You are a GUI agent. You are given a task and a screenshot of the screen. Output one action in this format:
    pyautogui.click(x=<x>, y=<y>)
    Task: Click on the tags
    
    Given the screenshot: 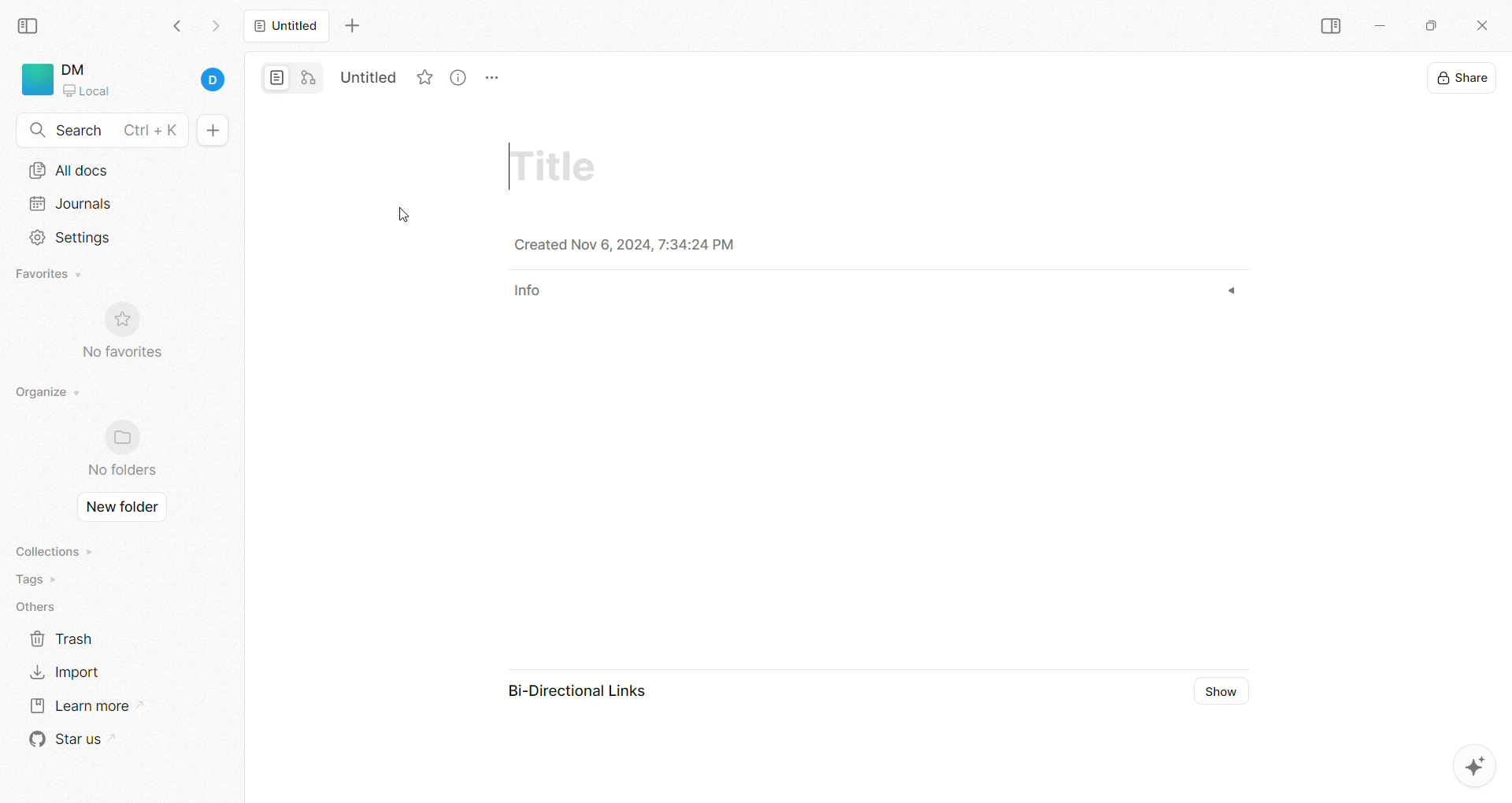 What is the action you would take?
    pyautogui.click(x=31, y=579)
    